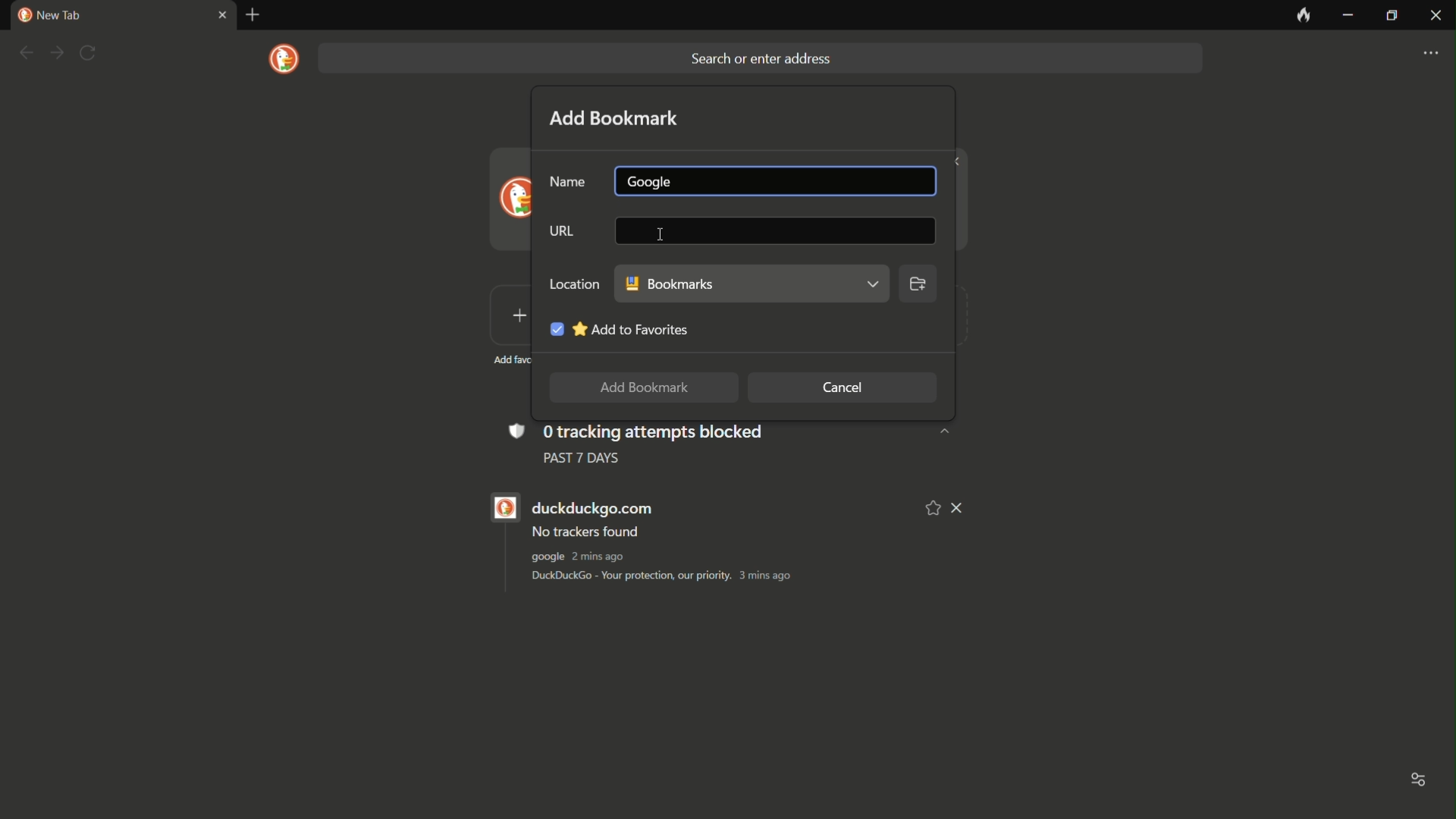  Describe the element at coordinates (1302, 16) in the screenshot. I see `leave no trace` at that location.